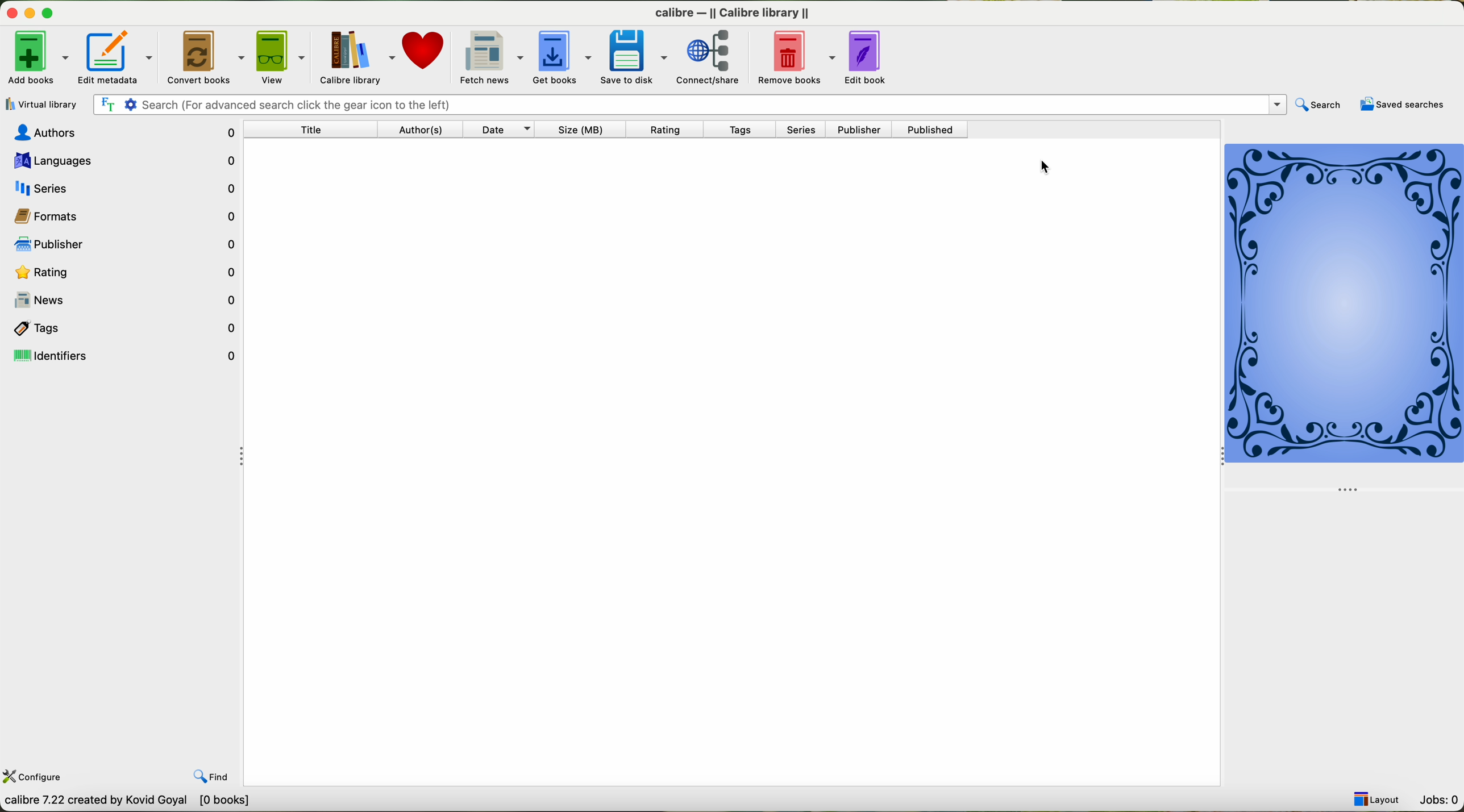  I want to click on configure, so click(36, 776).